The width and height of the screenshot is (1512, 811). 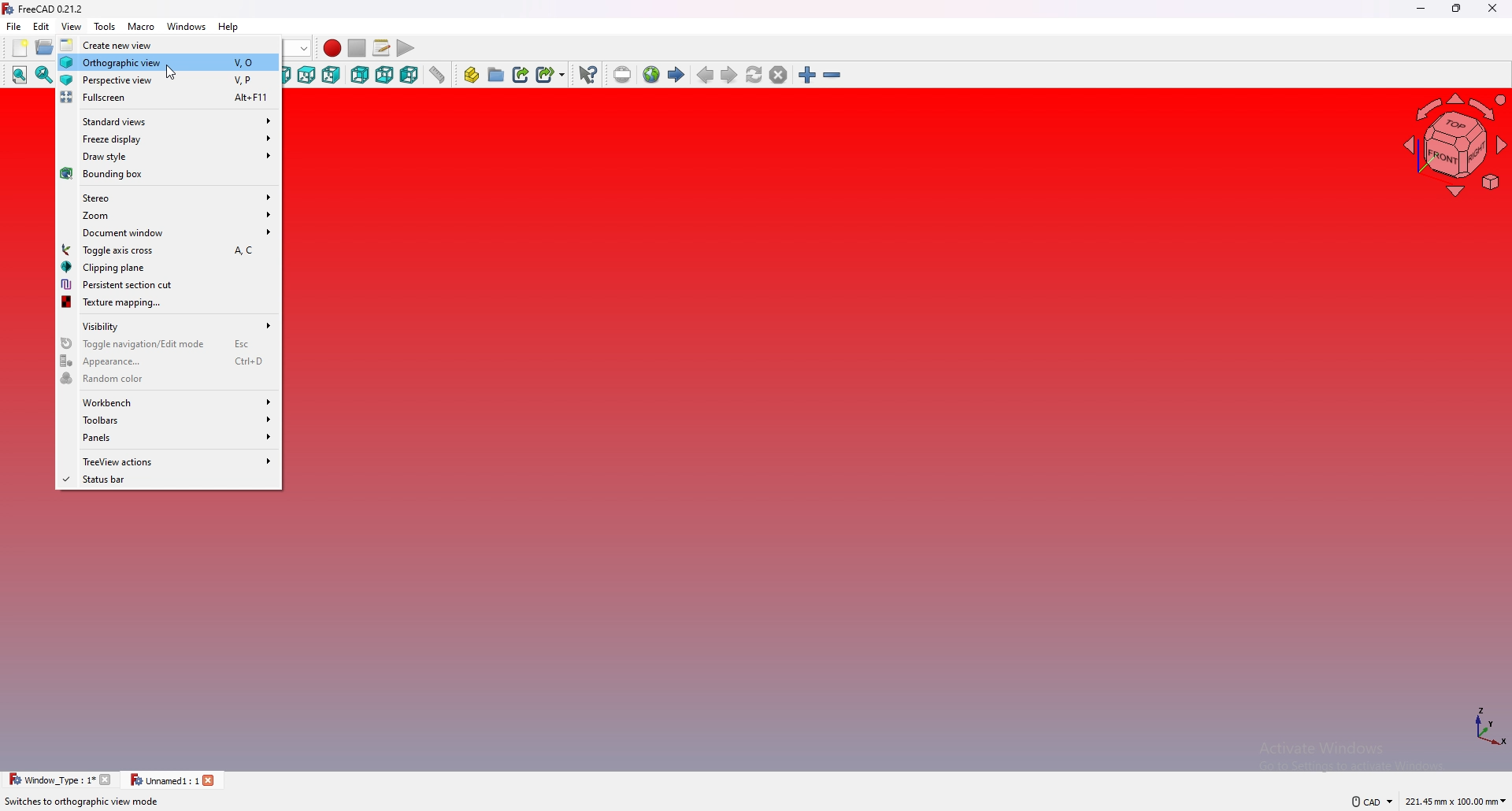 I want to click on toggle axis cross, so click(x=169, y=250).